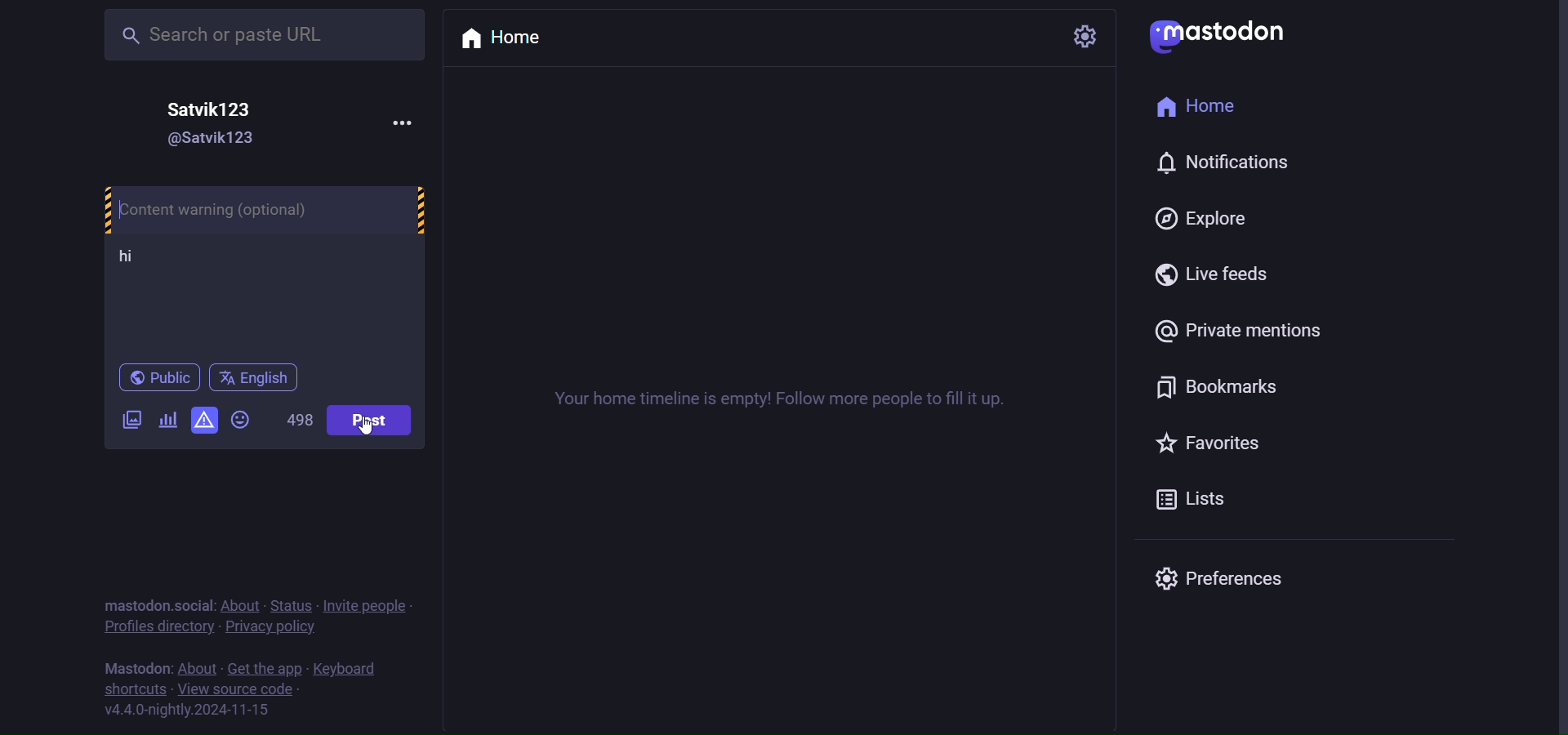 This screenshot has height=735, width=1568. I want to click on bookmark, so click(1214, 385).